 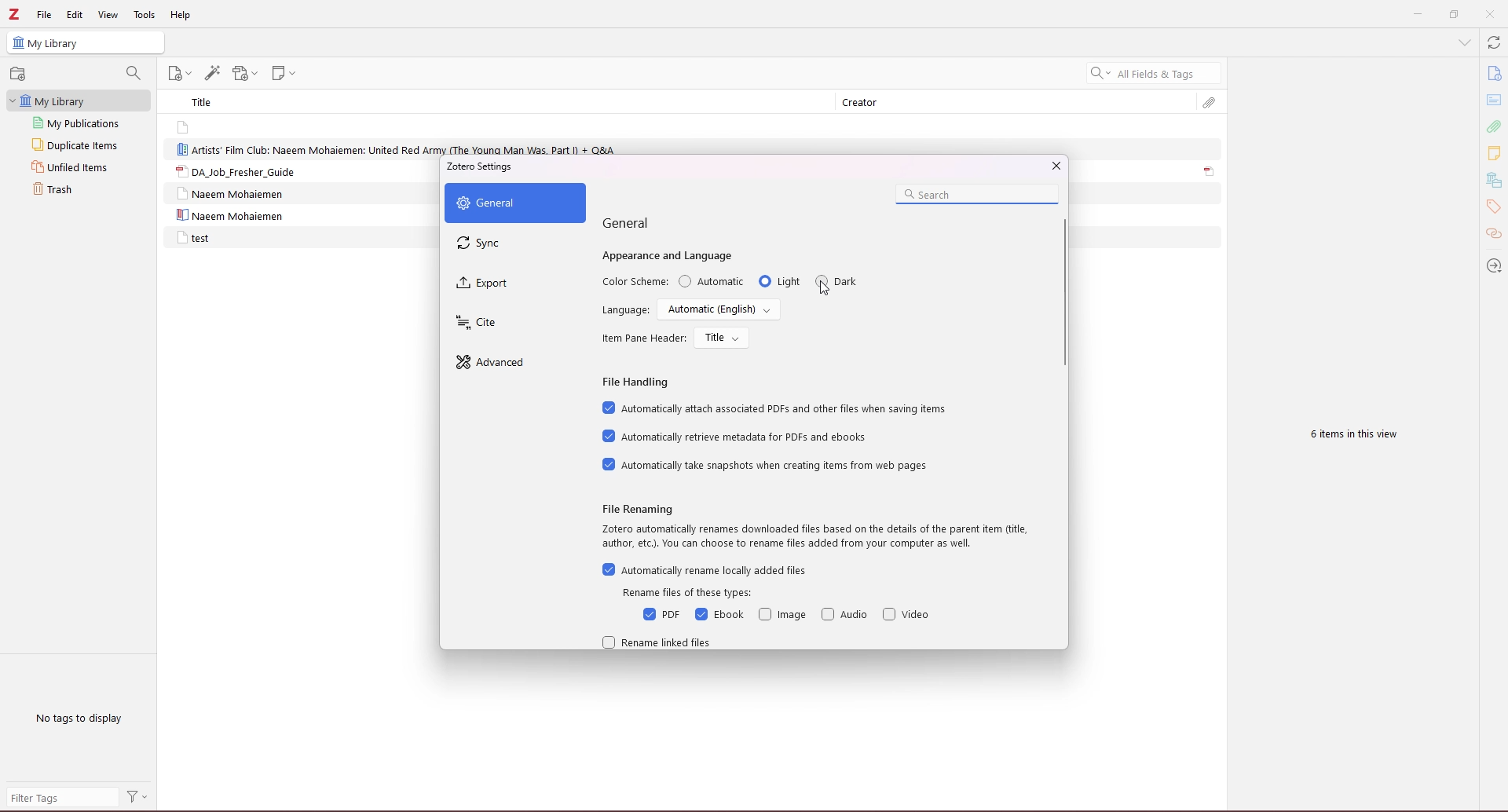 What do you see at coordinates (86, 43) in the screenshot?
I see `my library` at bounding box center [86, 43].